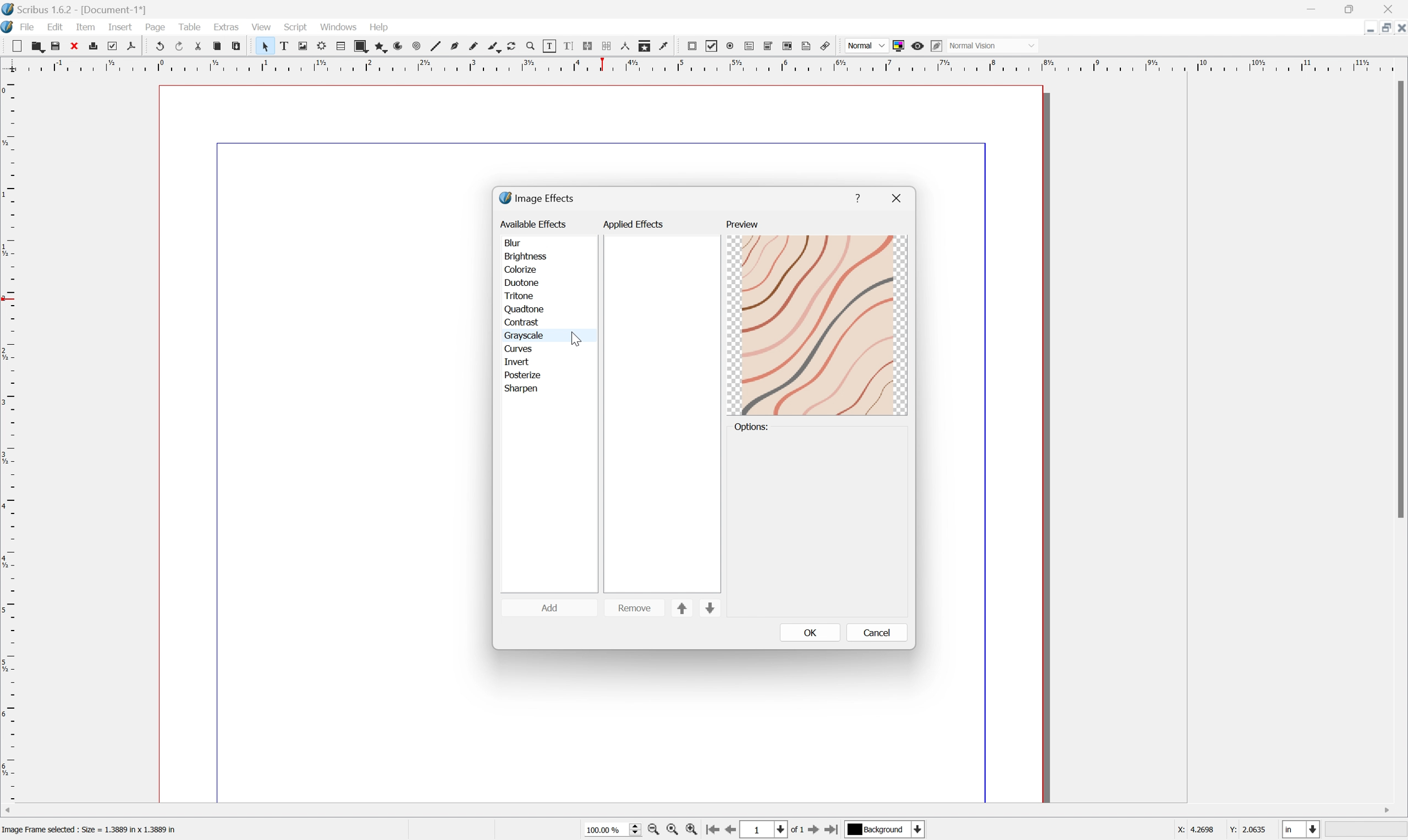 This screenshot has height=840, width=1408. I want to click on brightness, so click(525, 258).